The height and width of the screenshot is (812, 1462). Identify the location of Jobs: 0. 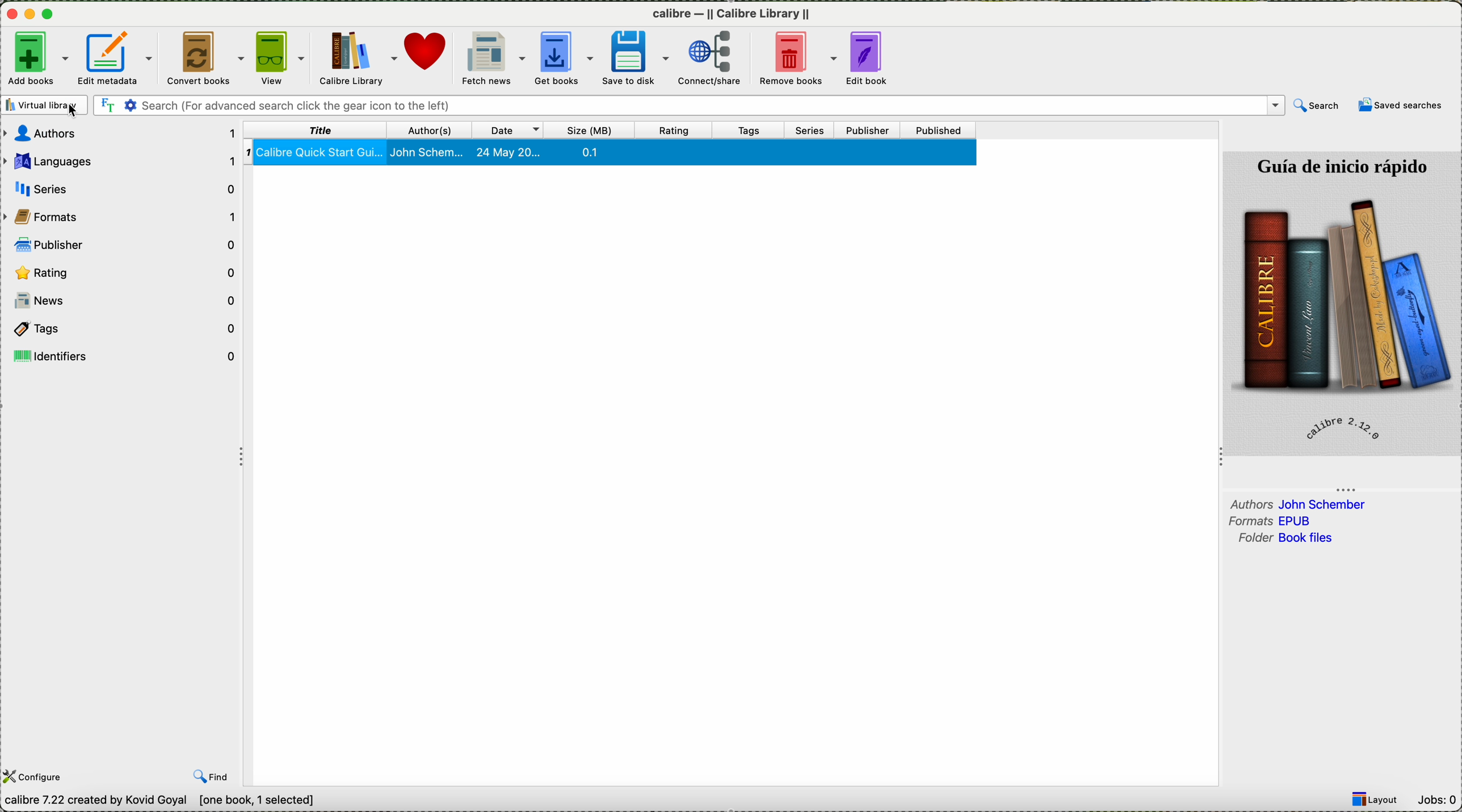
(1439, 800).